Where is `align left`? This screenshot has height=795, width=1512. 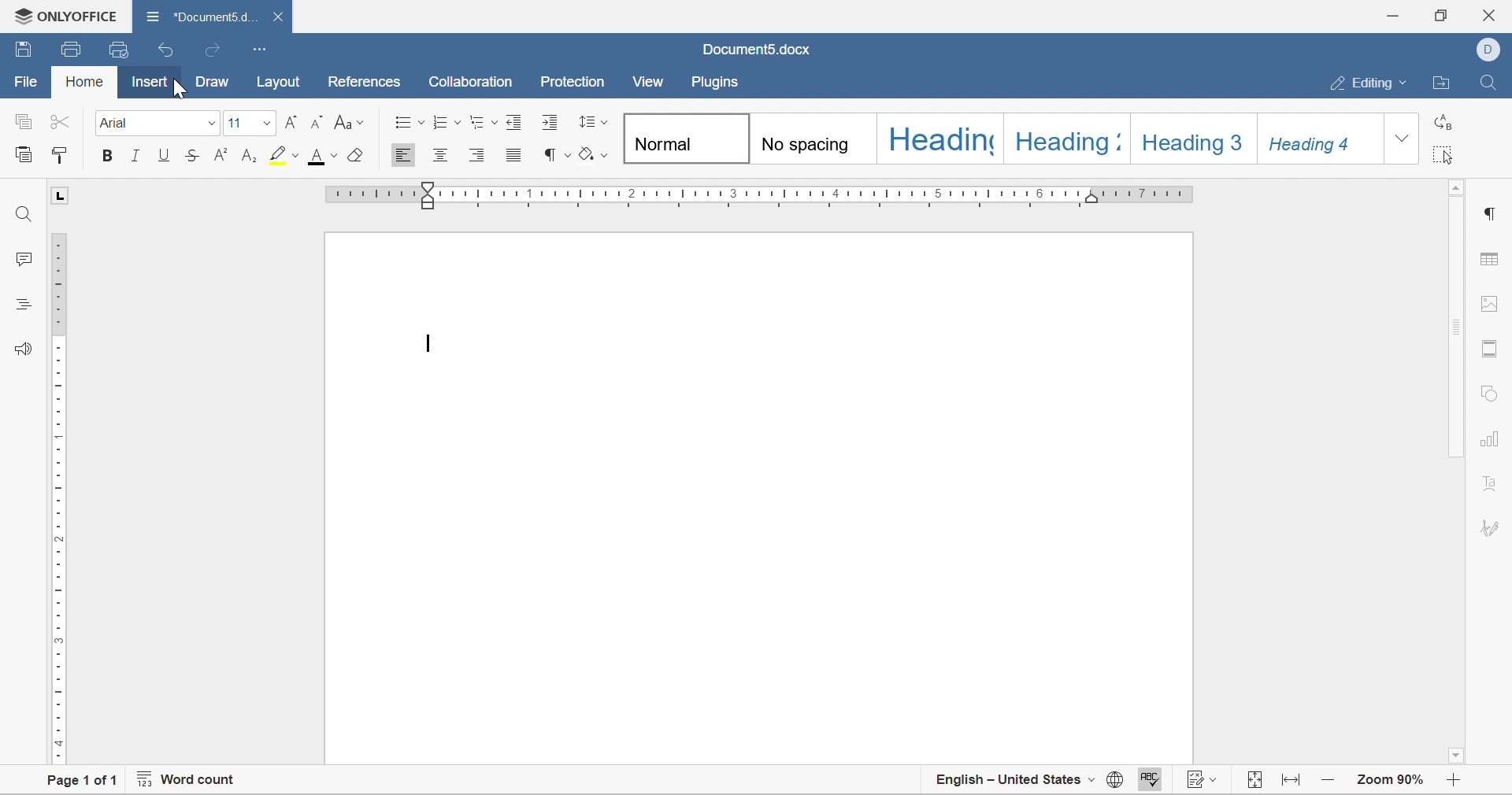 align left is located at coordinates (403, 156).